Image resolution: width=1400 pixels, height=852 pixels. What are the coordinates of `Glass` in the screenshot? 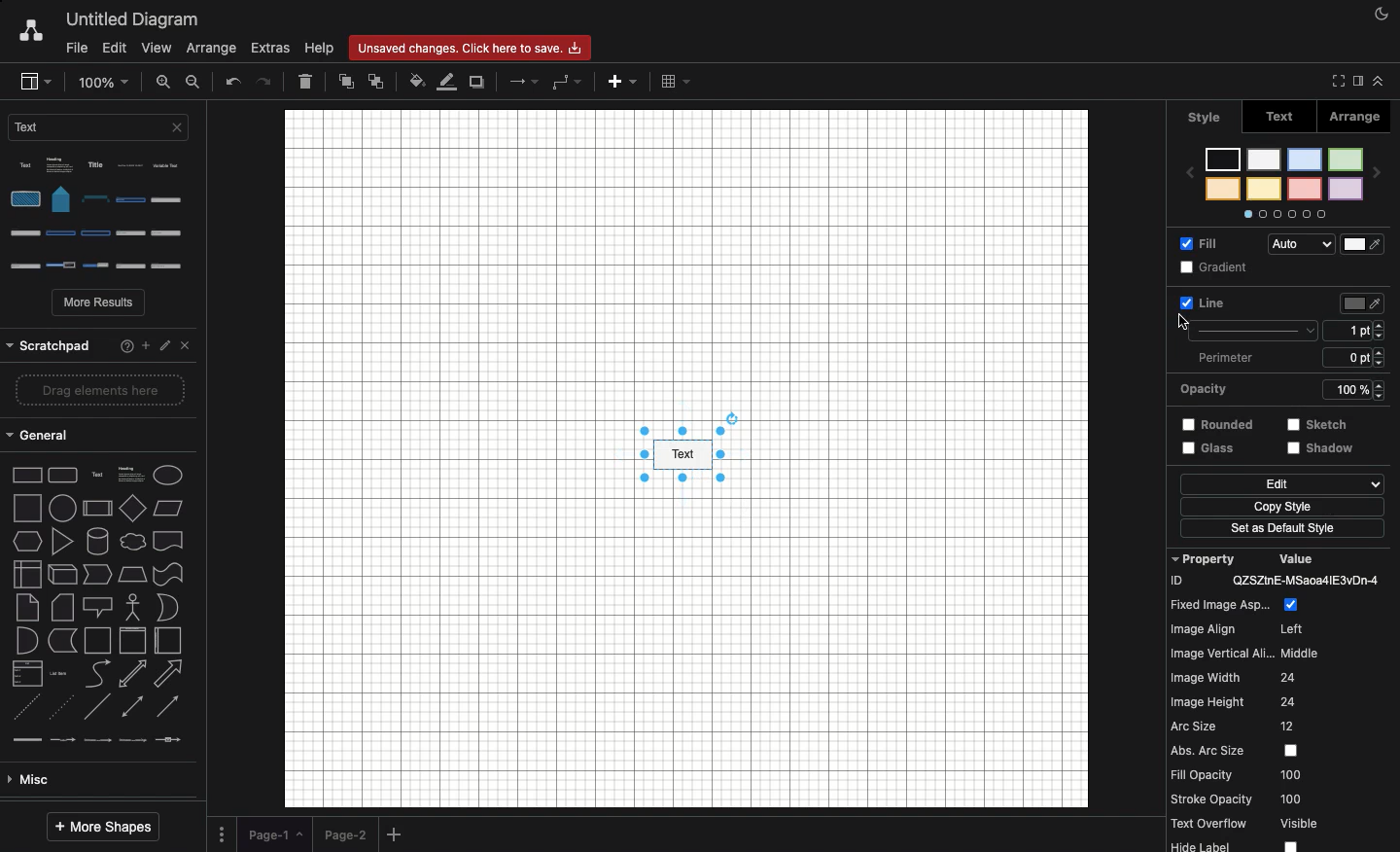 It's located at (1209, 427).